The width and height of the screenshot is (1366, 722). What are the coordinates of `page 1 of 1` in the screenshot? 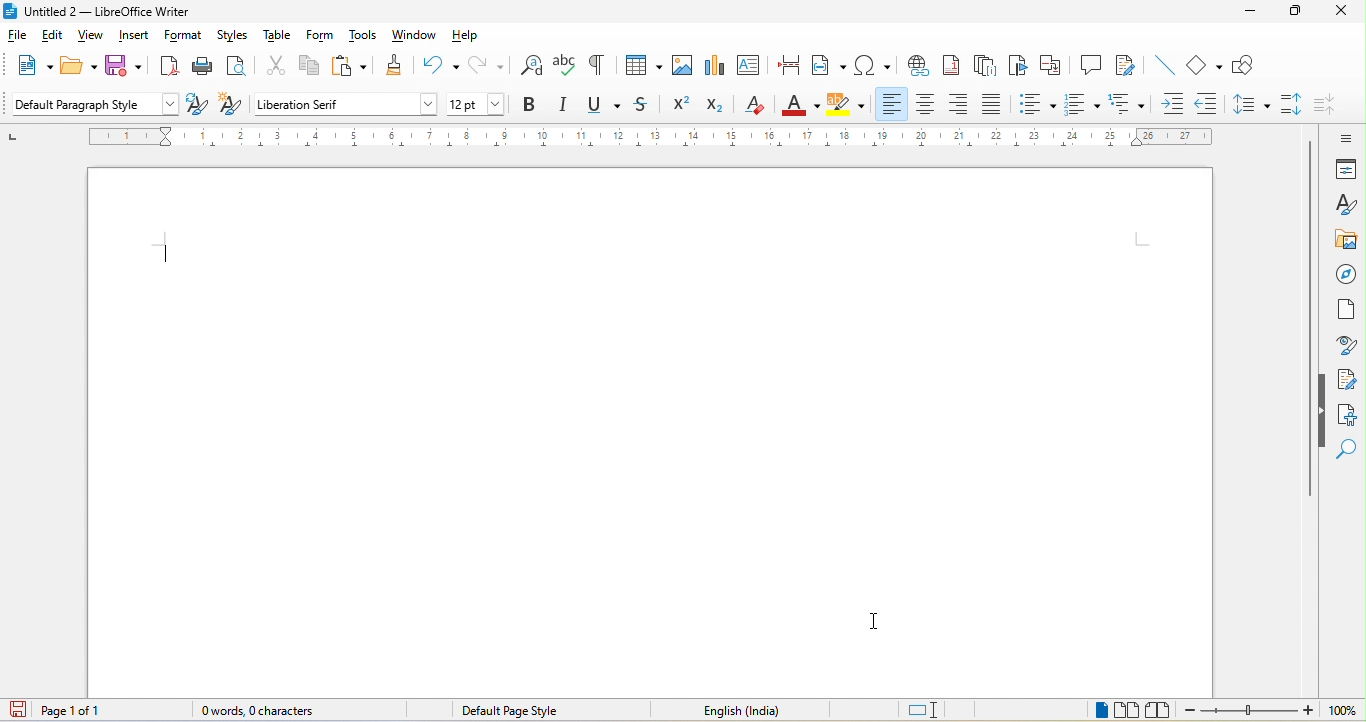 It's located at (54, 710).